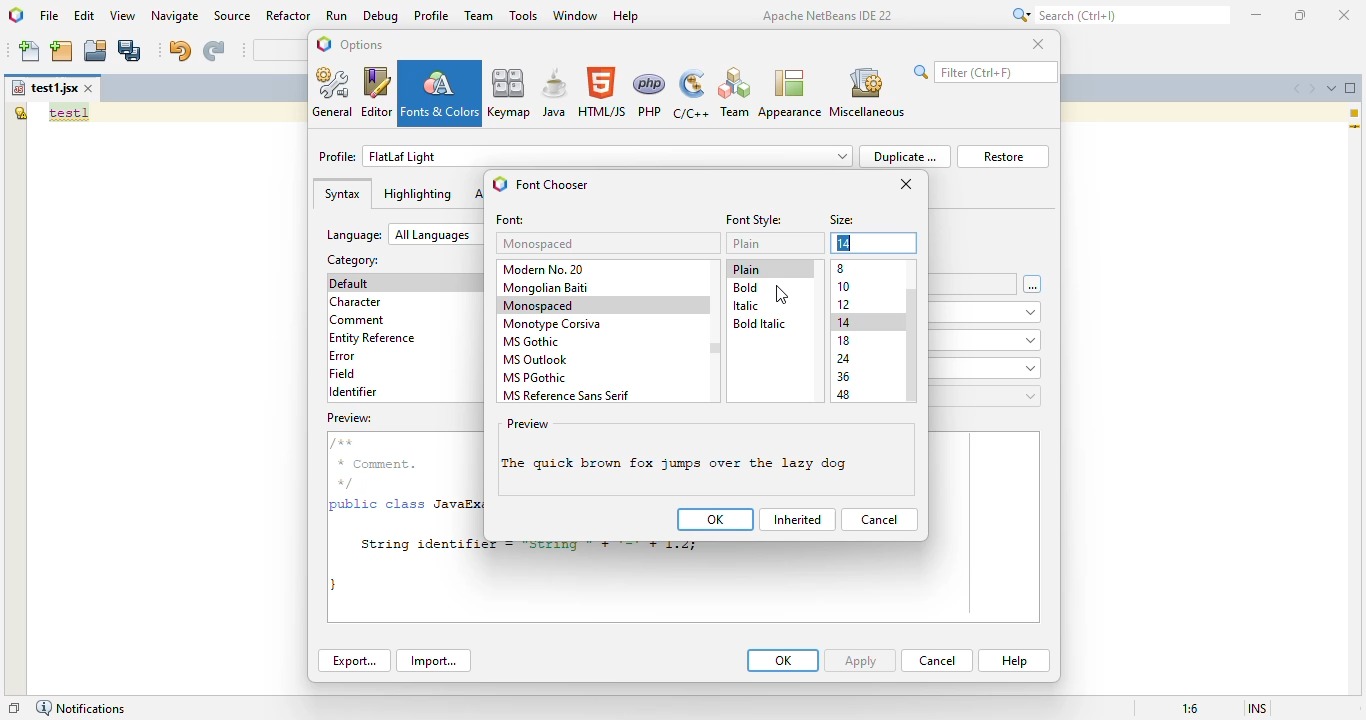 This screenshot has width=1366, height=720. What do you see at coordinates (844, 341) in the screenshot?
I see `18` at bounding box center [844, 341].